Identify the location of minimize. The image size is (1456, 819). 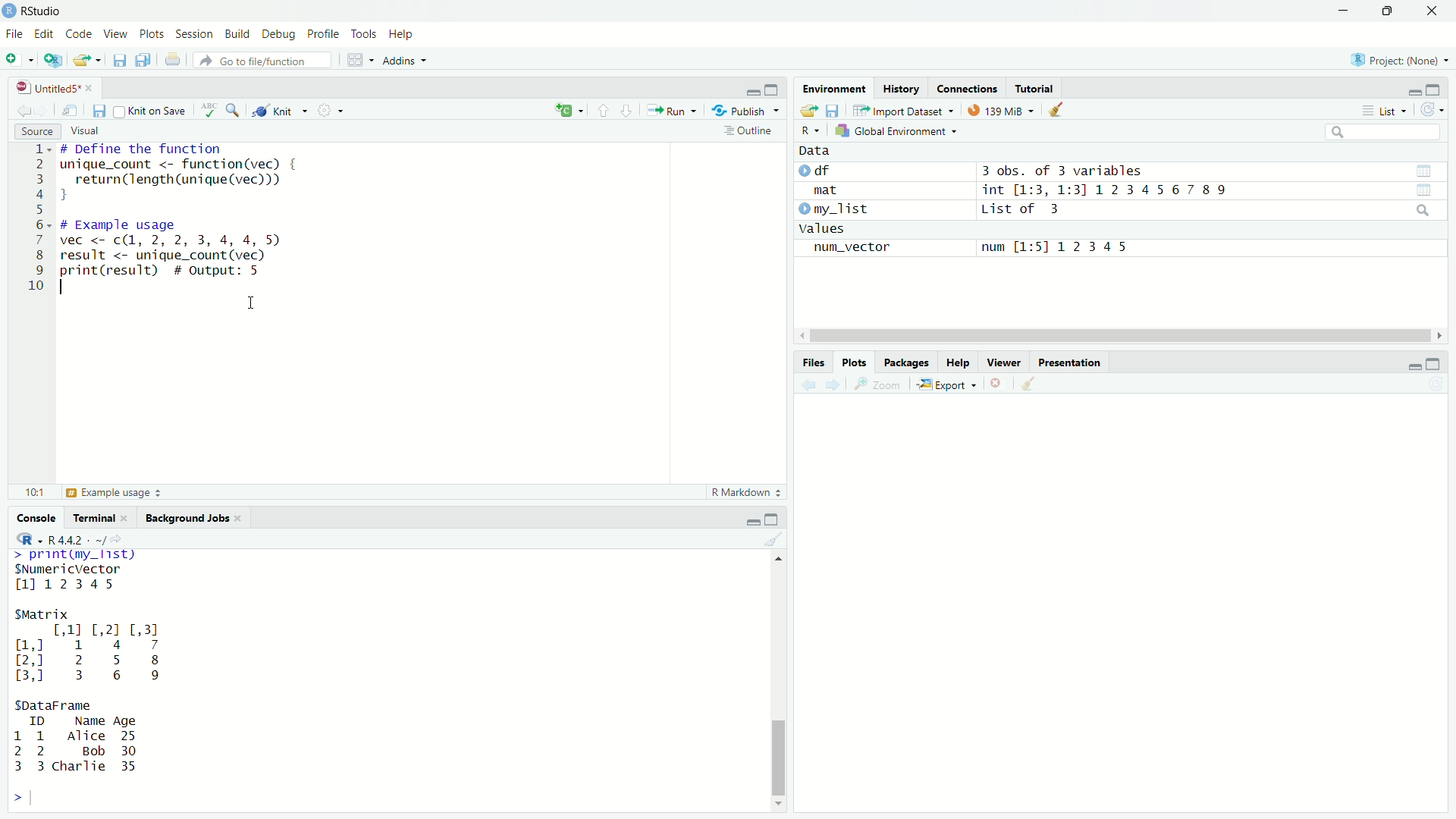
(1414, 93).